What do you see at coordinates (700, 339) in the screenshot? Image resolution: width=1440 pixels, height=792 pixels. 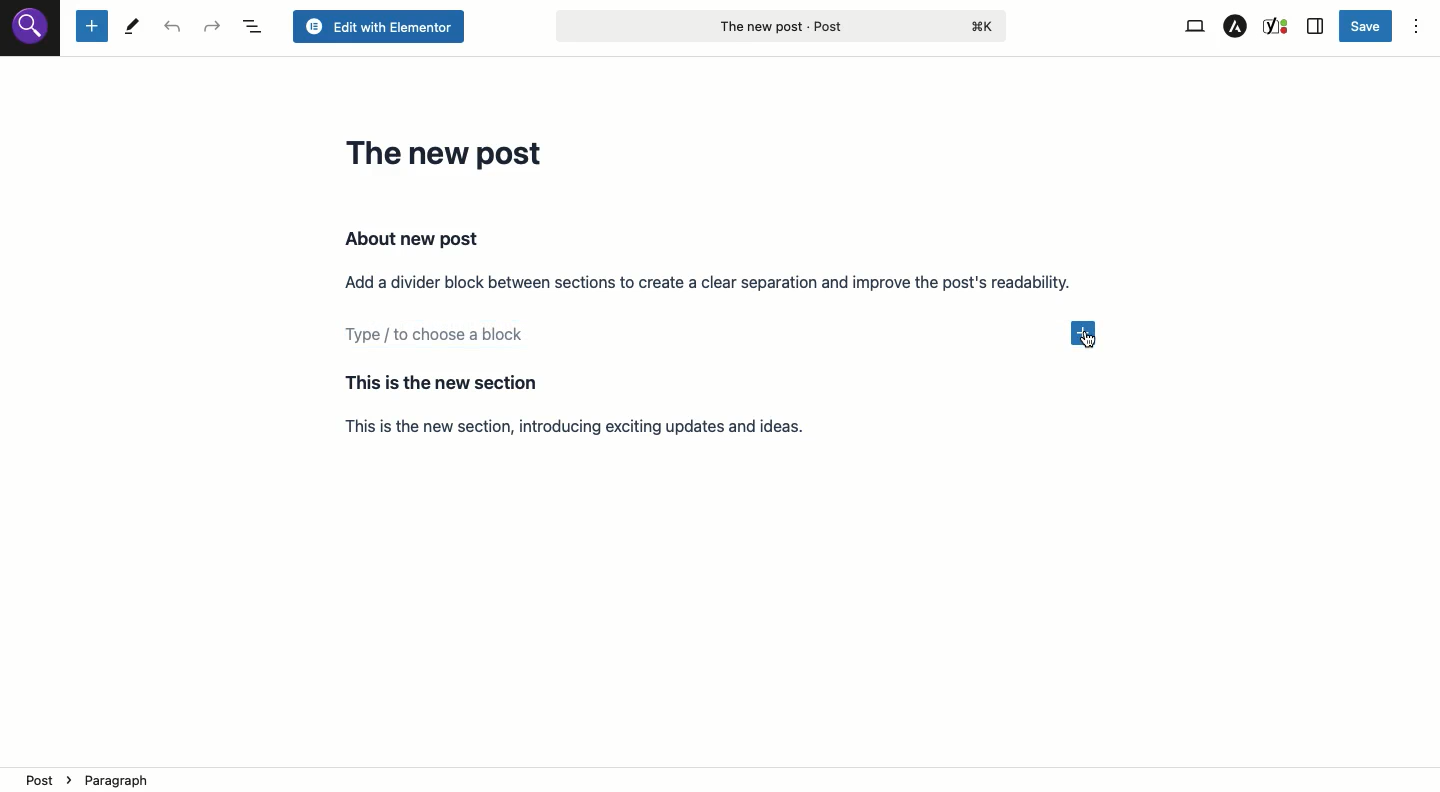 I see `Hovering over choose a block` at bounding box center [700, 339].